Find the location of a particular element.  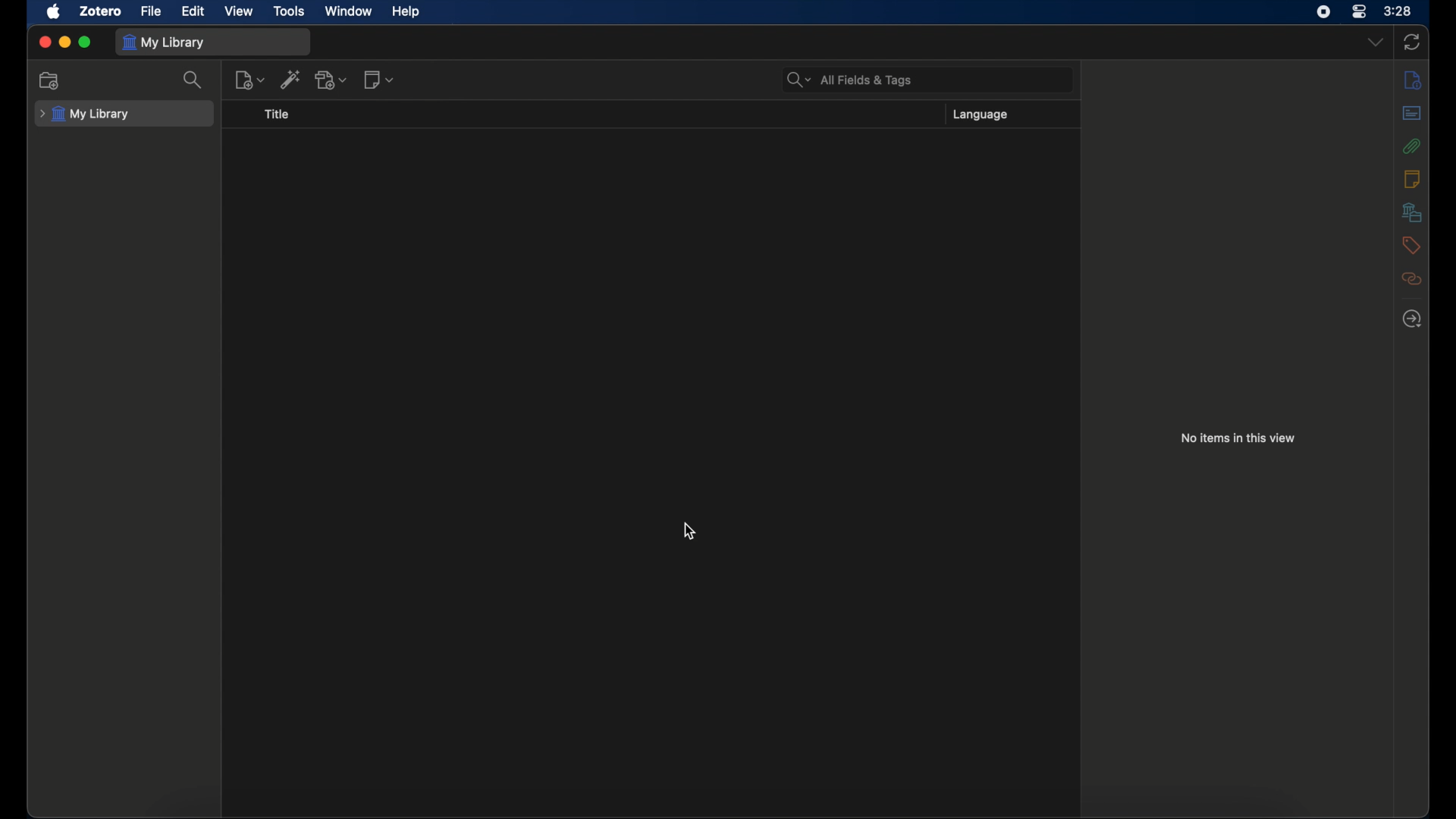

apple is located at coordinates (54, 11).